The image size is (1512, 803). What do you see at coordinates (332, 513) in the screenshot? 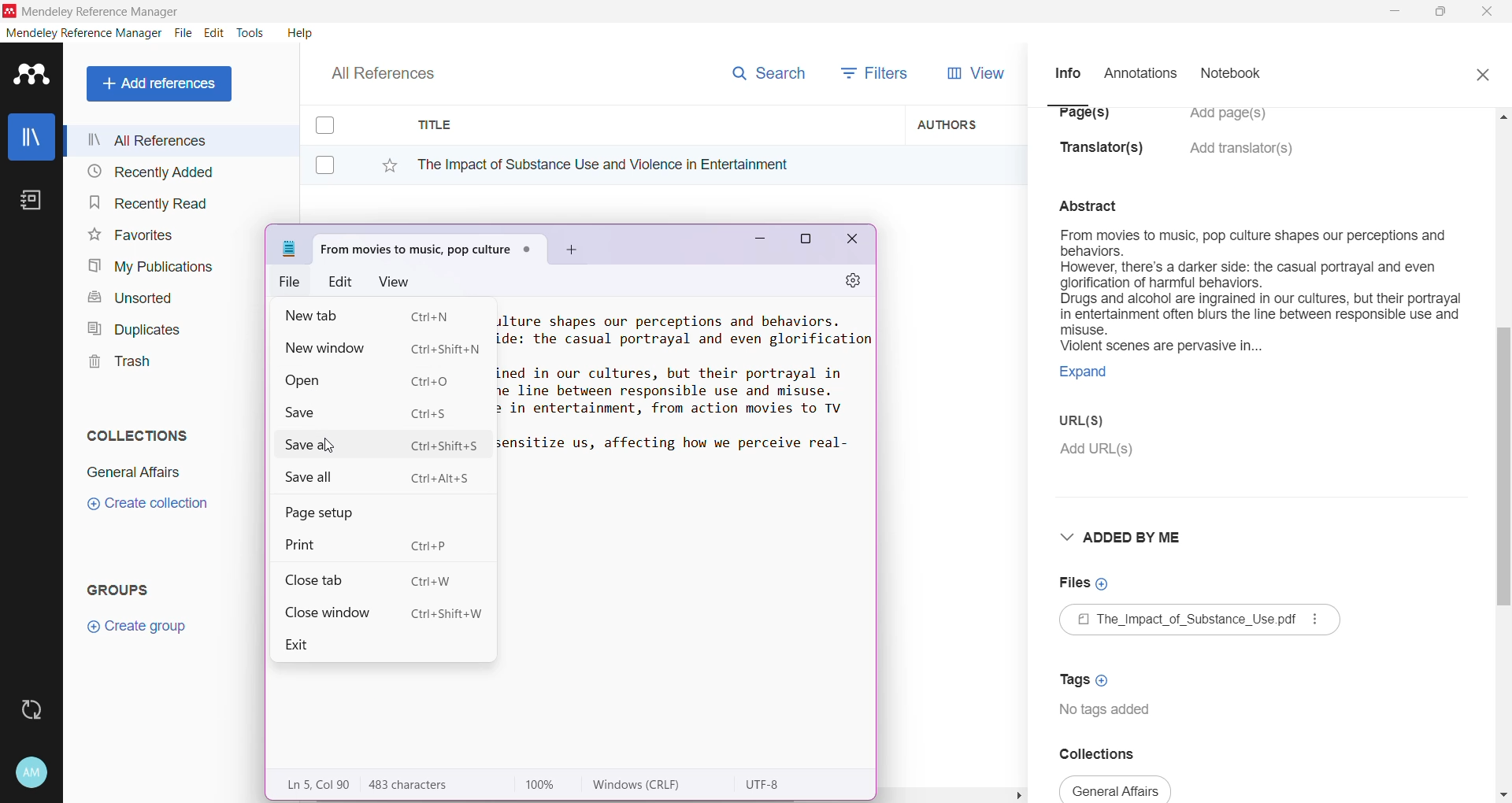
I see `Page setup` at bounding box center [332, 513].